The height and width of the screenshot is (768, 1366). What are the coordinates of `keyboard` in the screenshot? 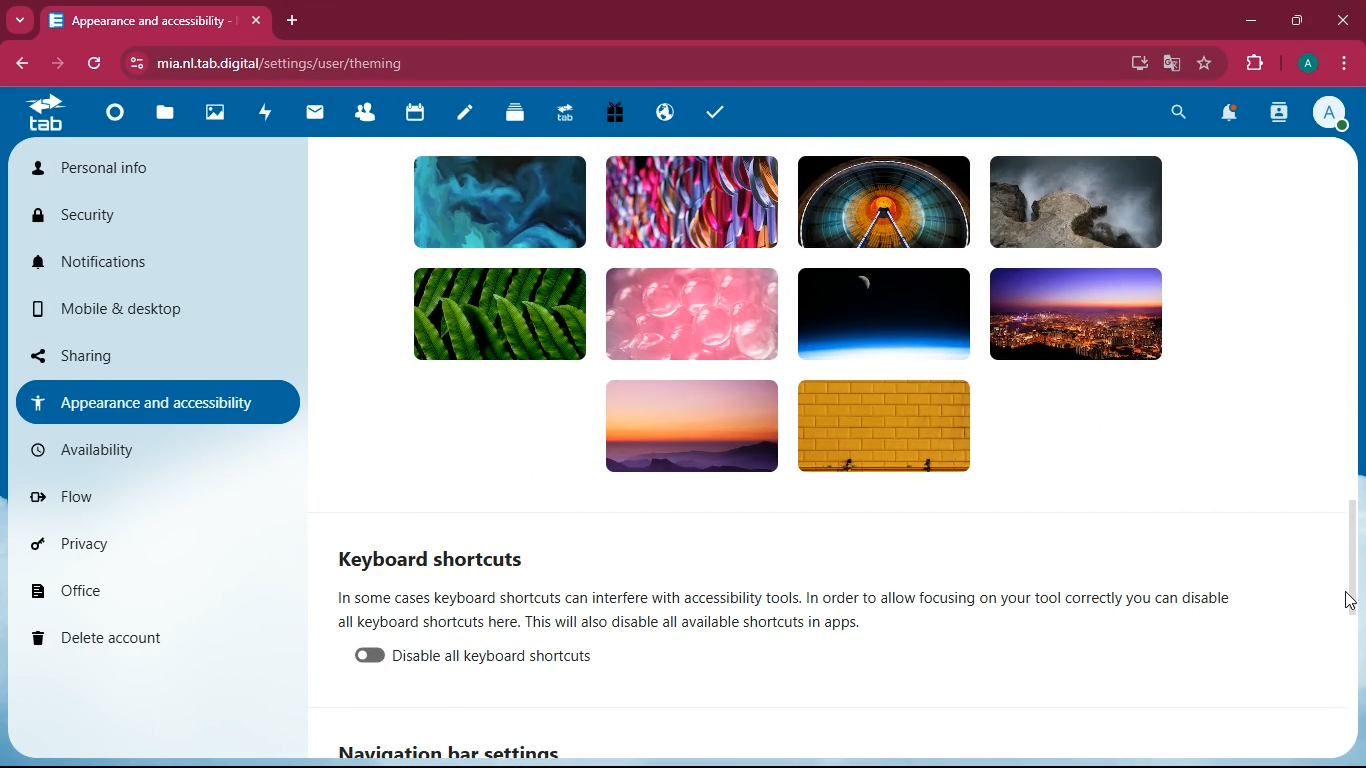 It's located at (437, 555).